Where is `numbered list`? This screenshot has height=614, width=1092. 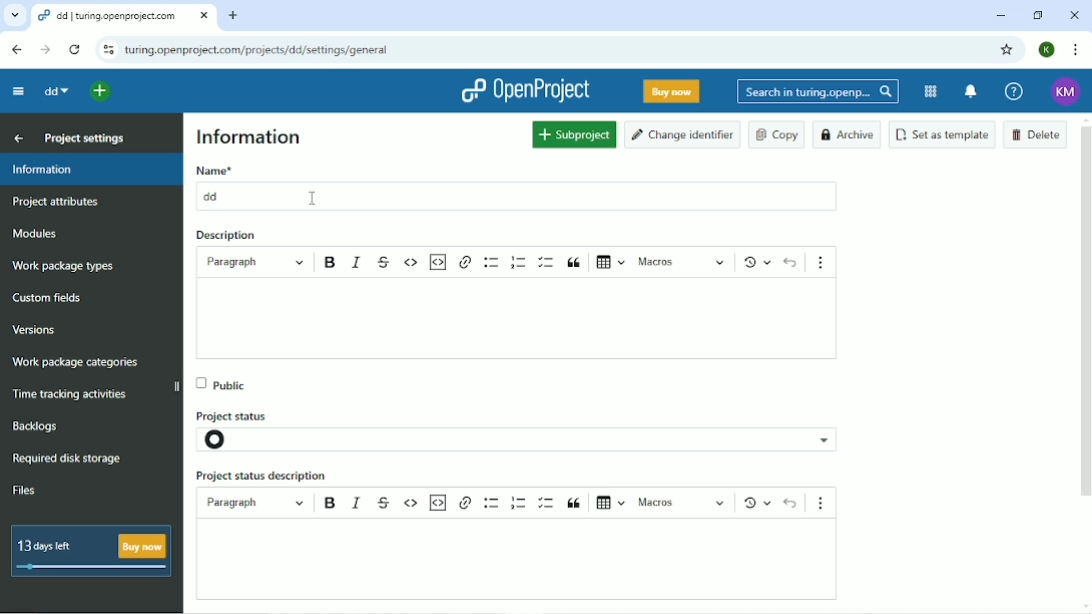 numbered list is located at coordinates (517, 502).